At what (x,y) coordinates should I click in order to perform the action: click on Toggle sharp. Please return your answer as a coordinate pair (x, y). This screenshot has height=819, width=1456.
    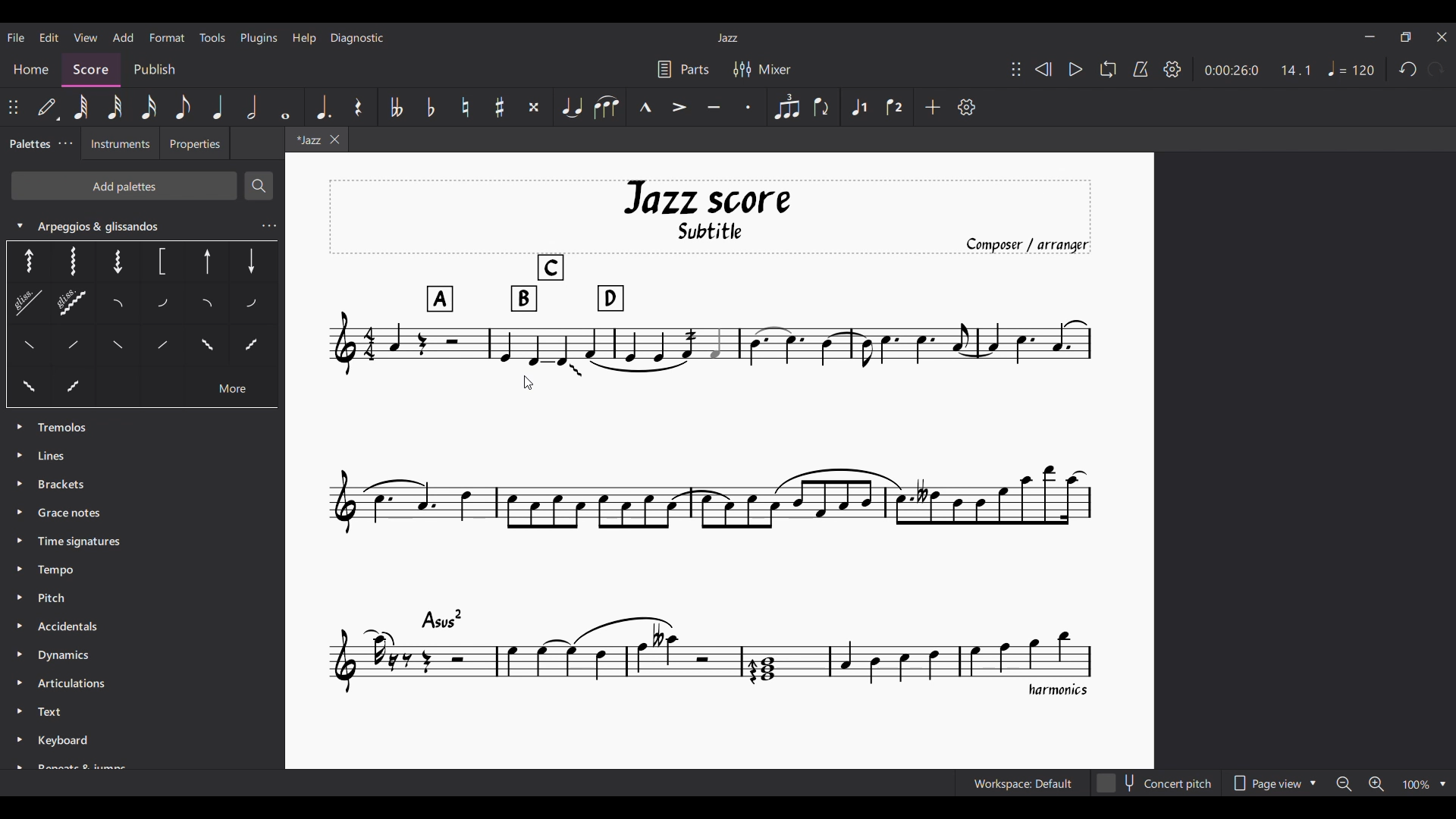
    Looking at the image, I should click on (500, 107).